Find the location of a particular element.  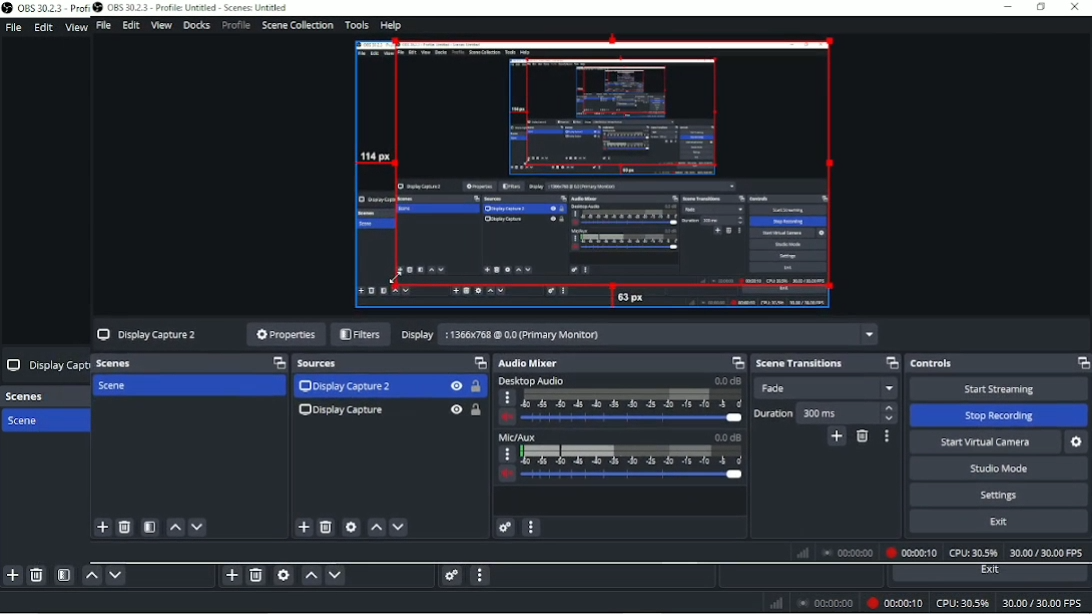

settings is located at coordinates (353, 530).